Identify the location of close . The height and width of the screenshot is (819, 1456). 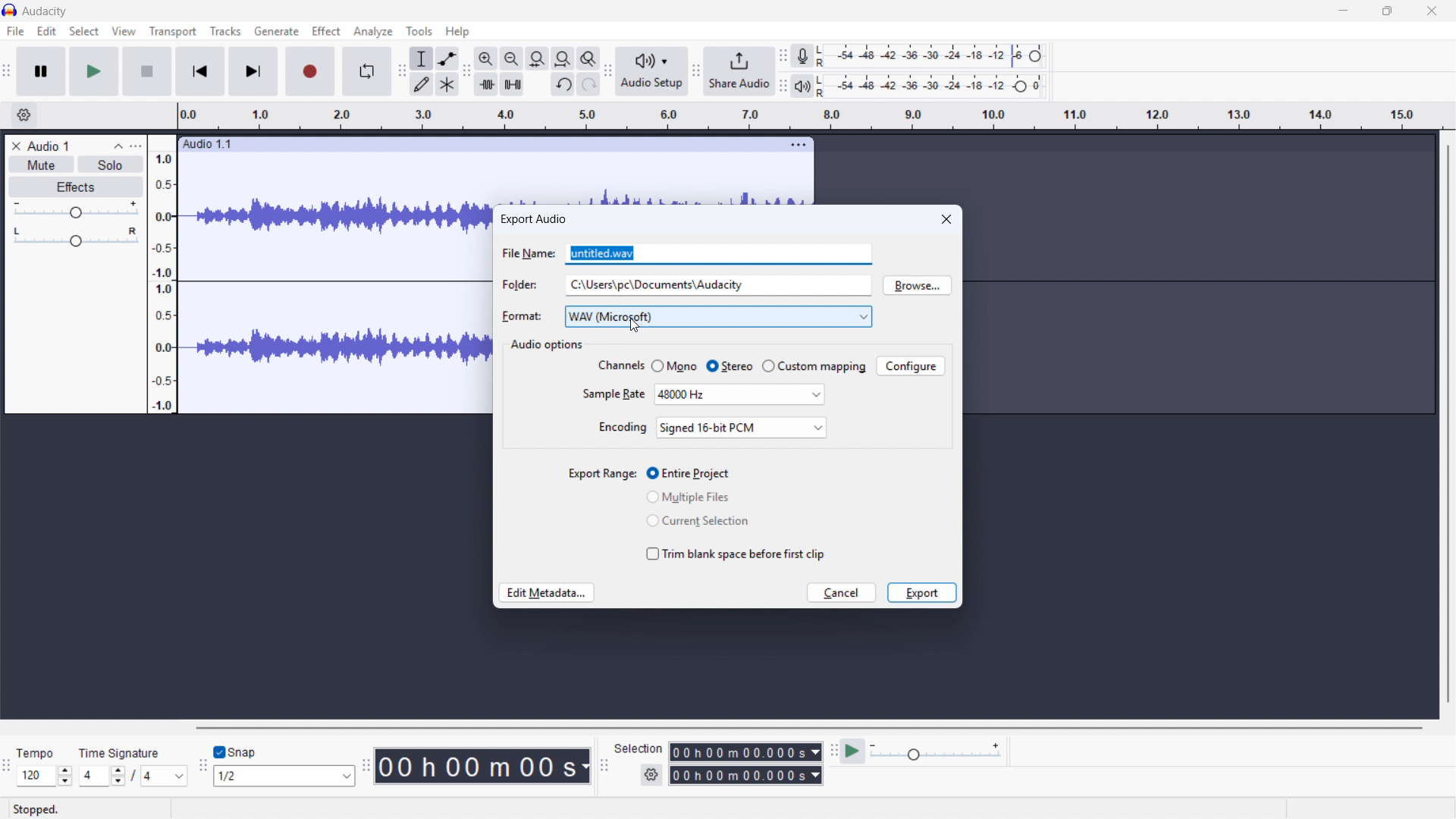
(1432, 11).